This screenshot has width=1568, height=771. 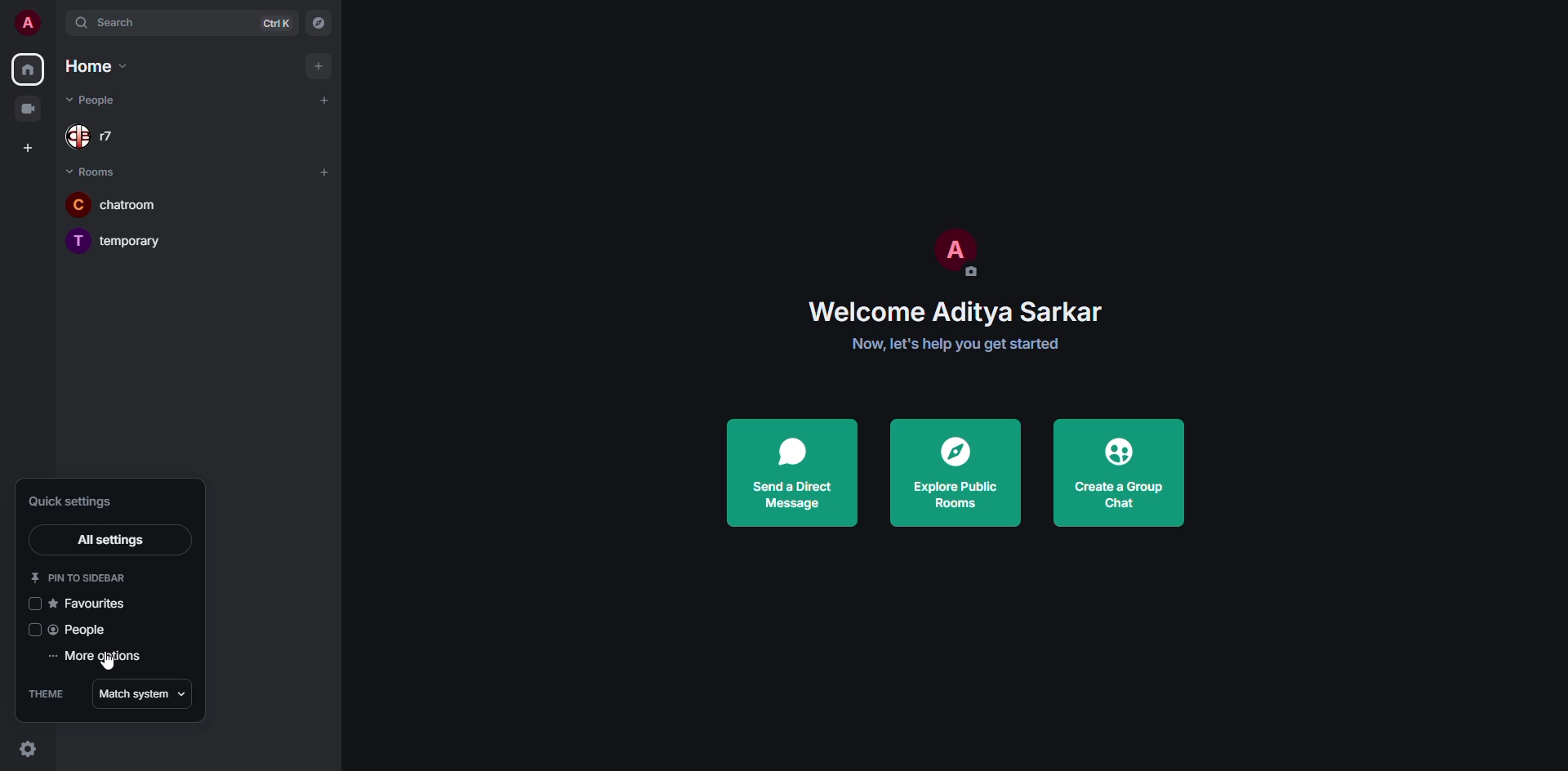 I want to click on send a direct message, so click(x=795, y=473).